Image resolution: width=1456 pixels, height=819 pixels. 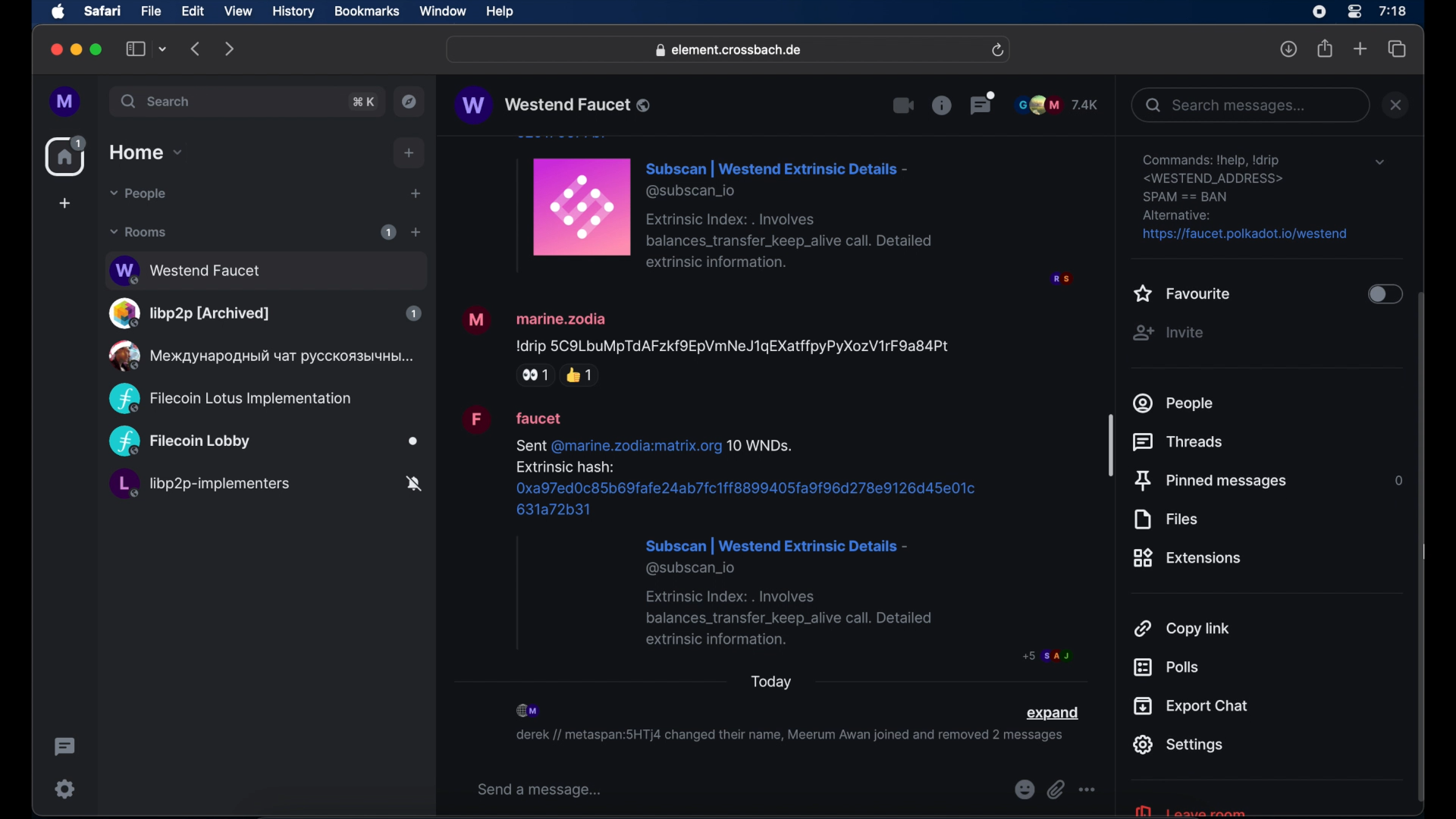 I want to click on information, so click(x=941, y=105).